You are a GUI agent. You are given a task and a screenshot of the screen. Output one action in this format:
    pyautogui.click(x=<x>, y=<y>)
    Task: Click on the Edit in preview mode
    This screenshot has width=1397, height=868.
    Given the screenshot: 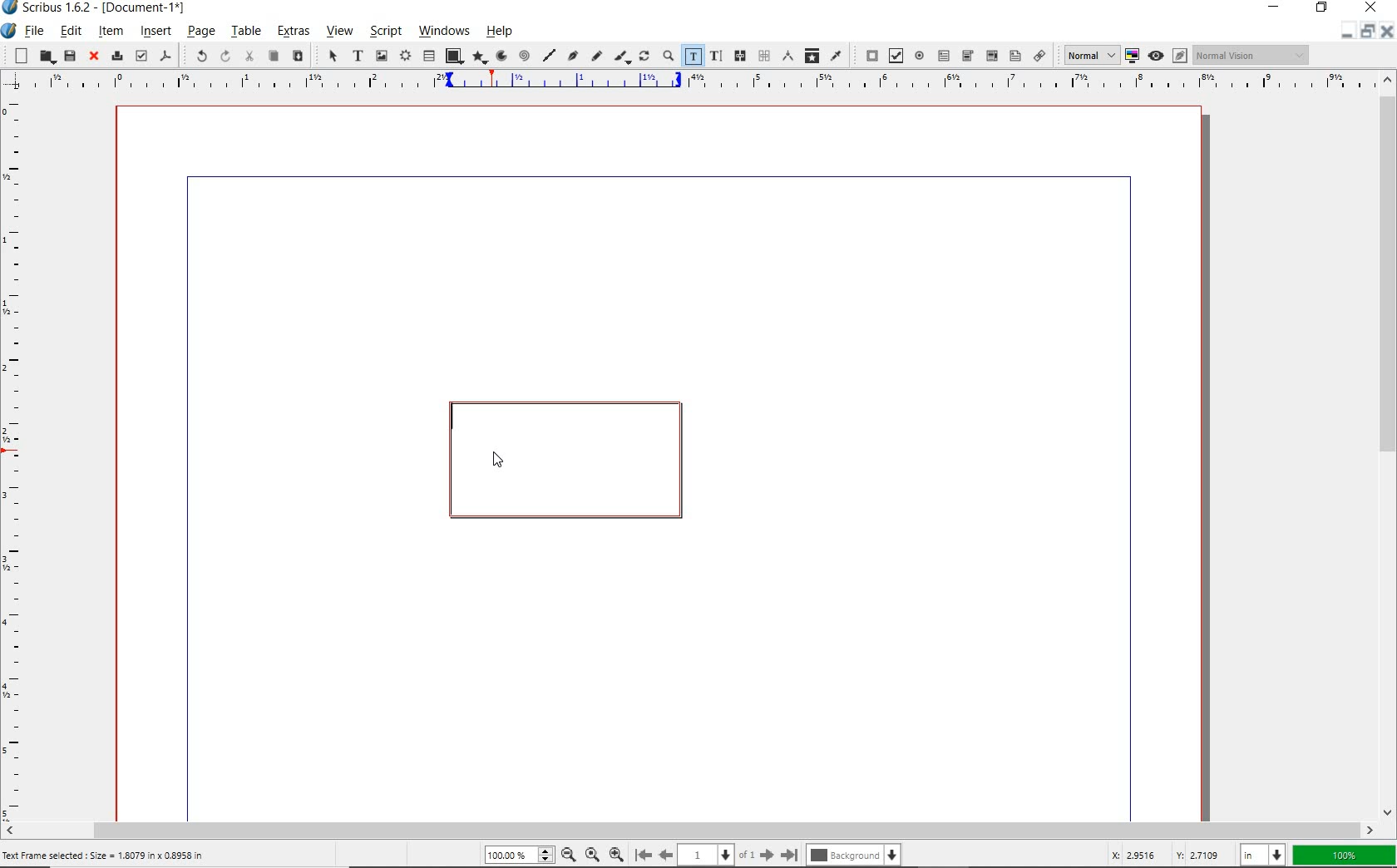 What is the action you would take?
    pyautogui.click(x=1181, y=55)
    